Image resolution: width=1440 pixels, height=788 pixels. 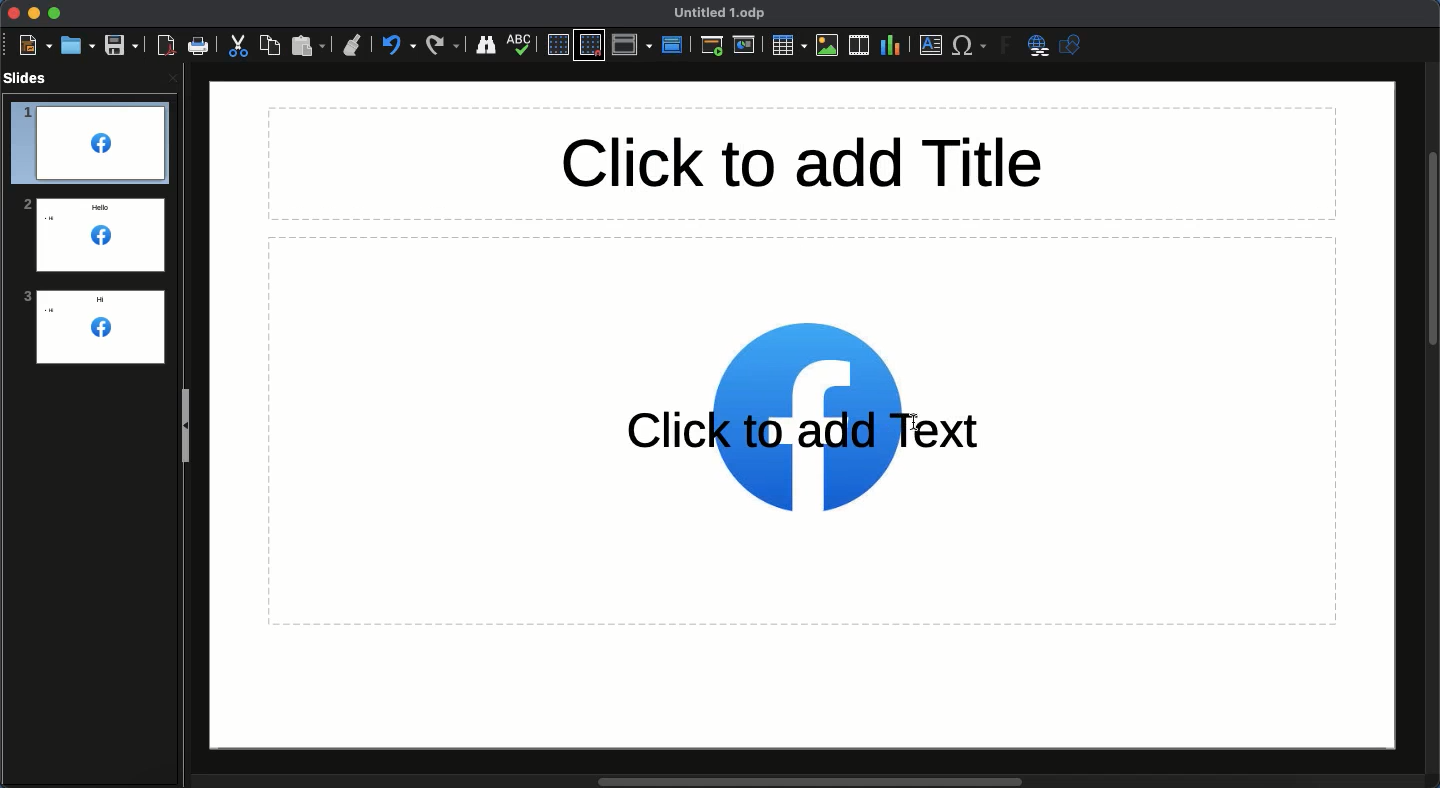 I want to click on Paste, so click(x=310, y=46).